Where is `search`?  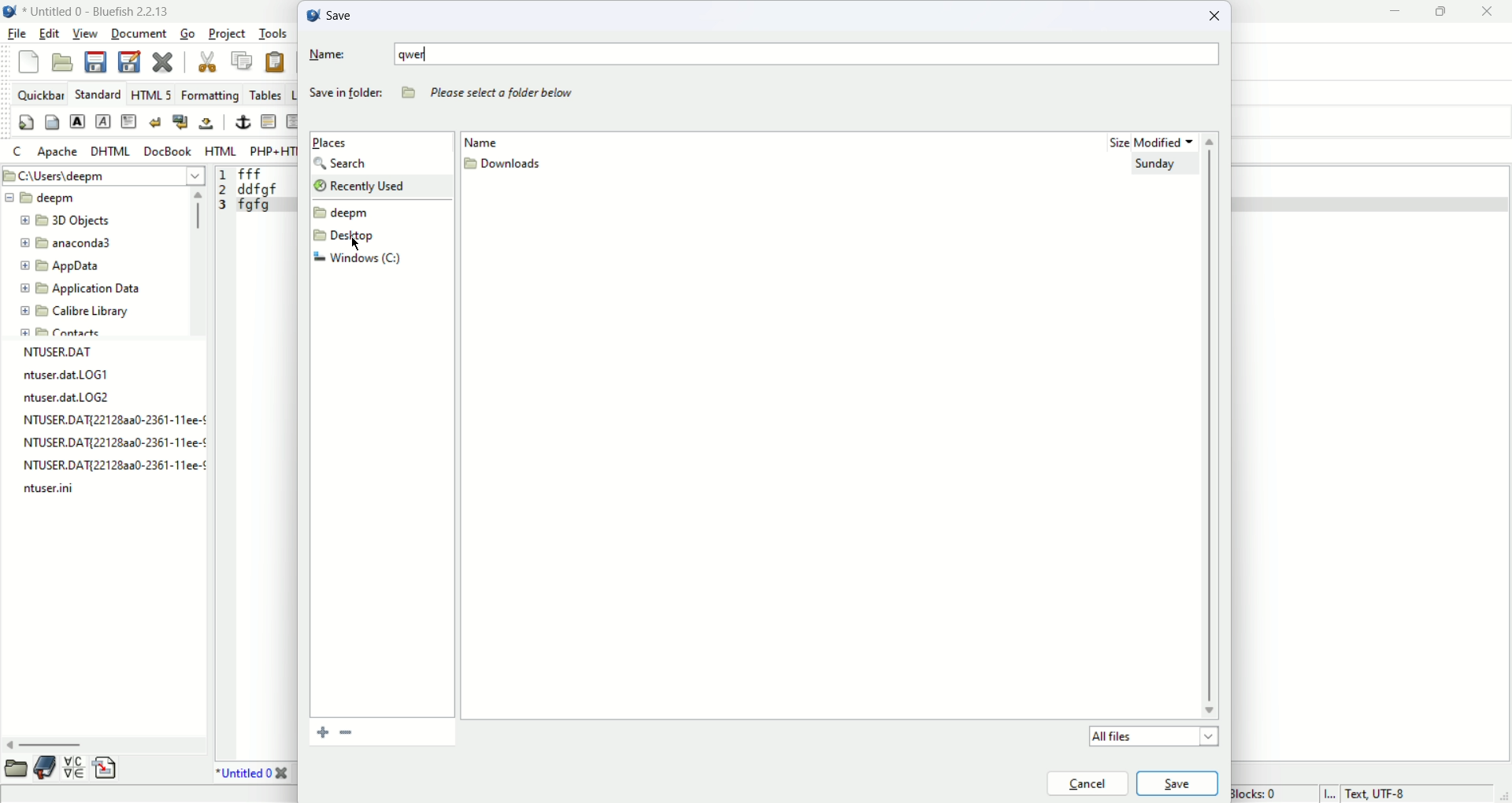
search is located at coordinates (346, 164).